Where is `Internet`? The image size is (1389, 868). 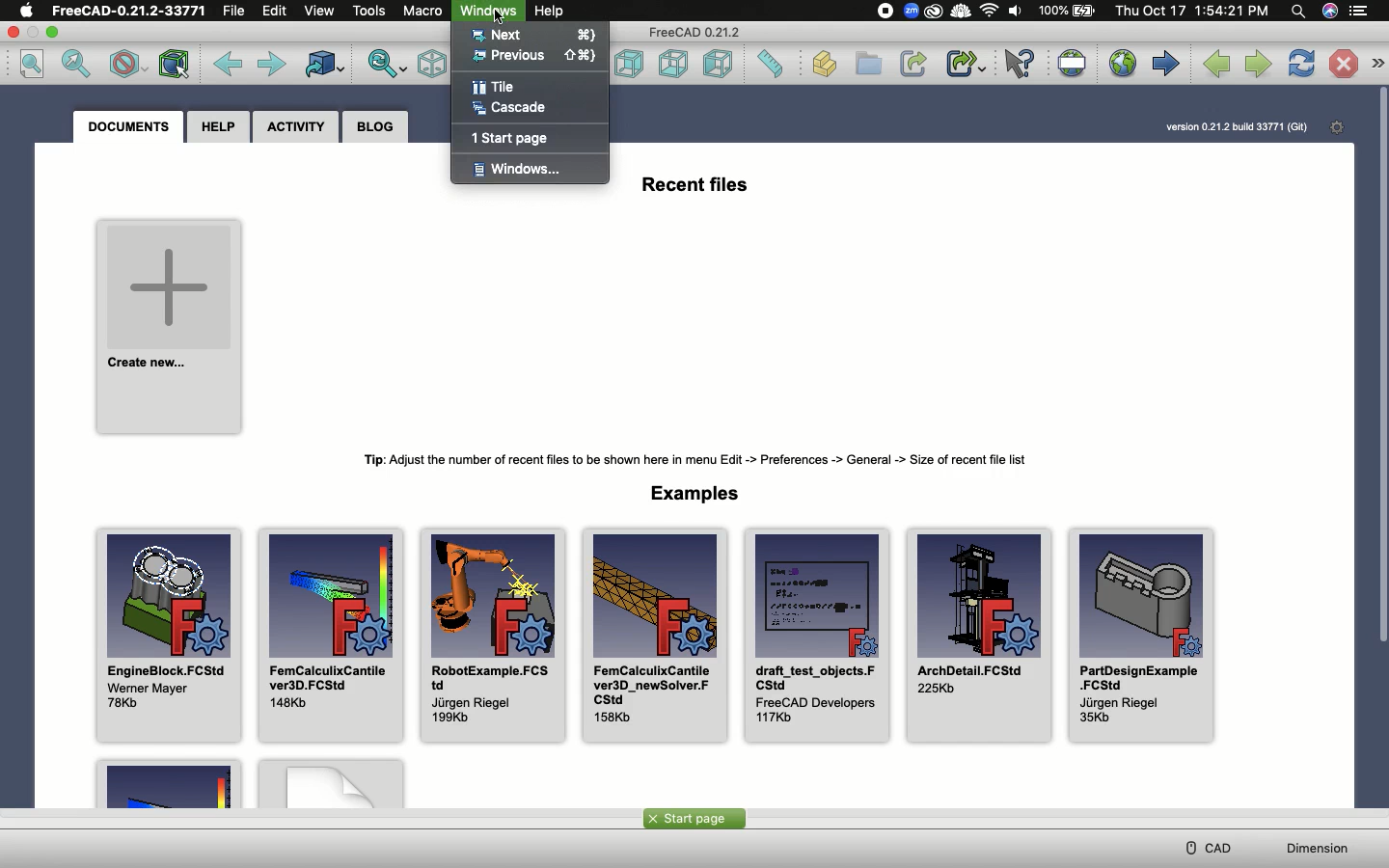 Internet is located at coordinates (989, 12).